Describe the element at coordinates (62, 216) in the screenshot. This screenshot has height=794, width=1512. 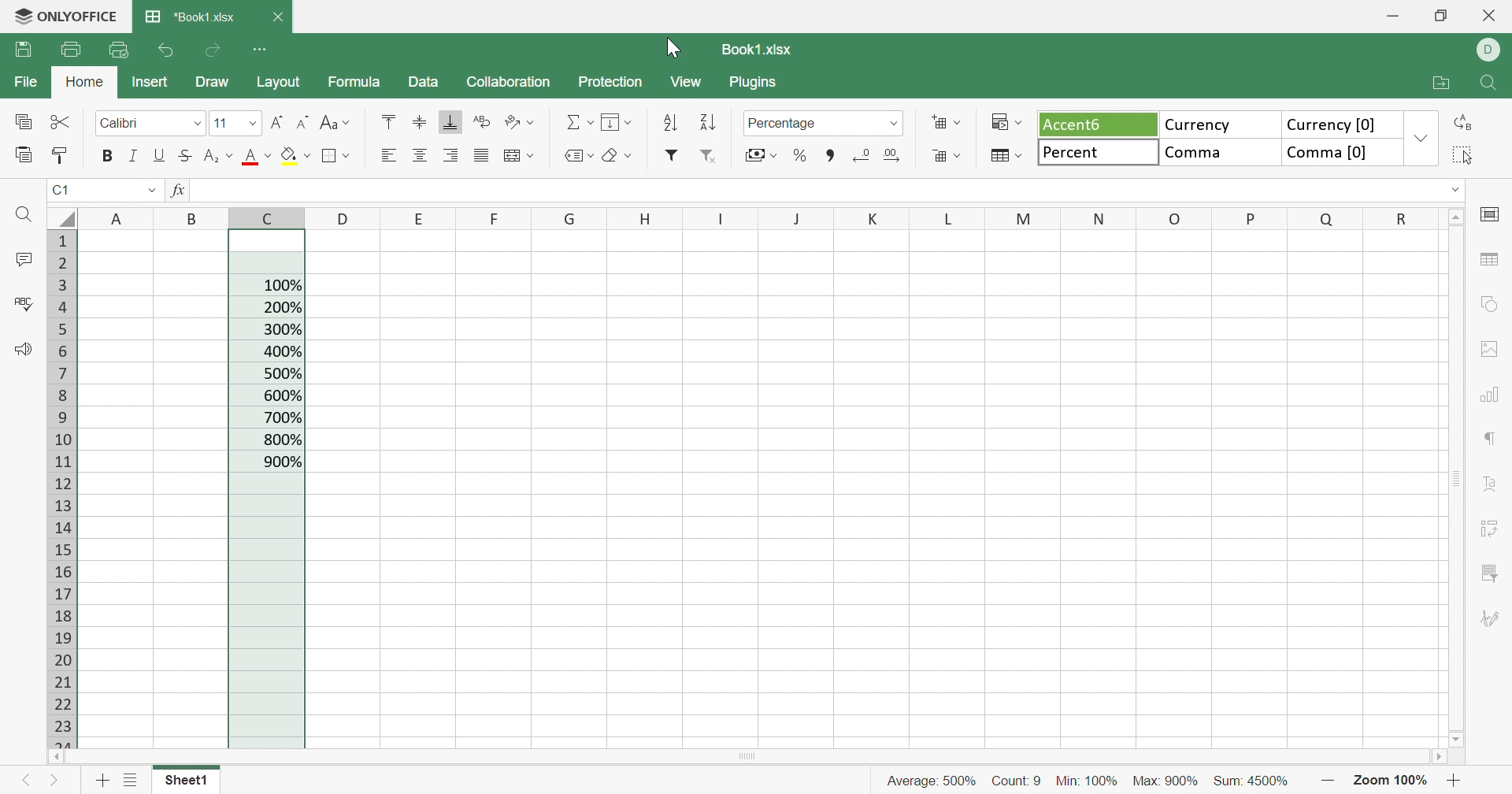
I see `Select all` at that location.